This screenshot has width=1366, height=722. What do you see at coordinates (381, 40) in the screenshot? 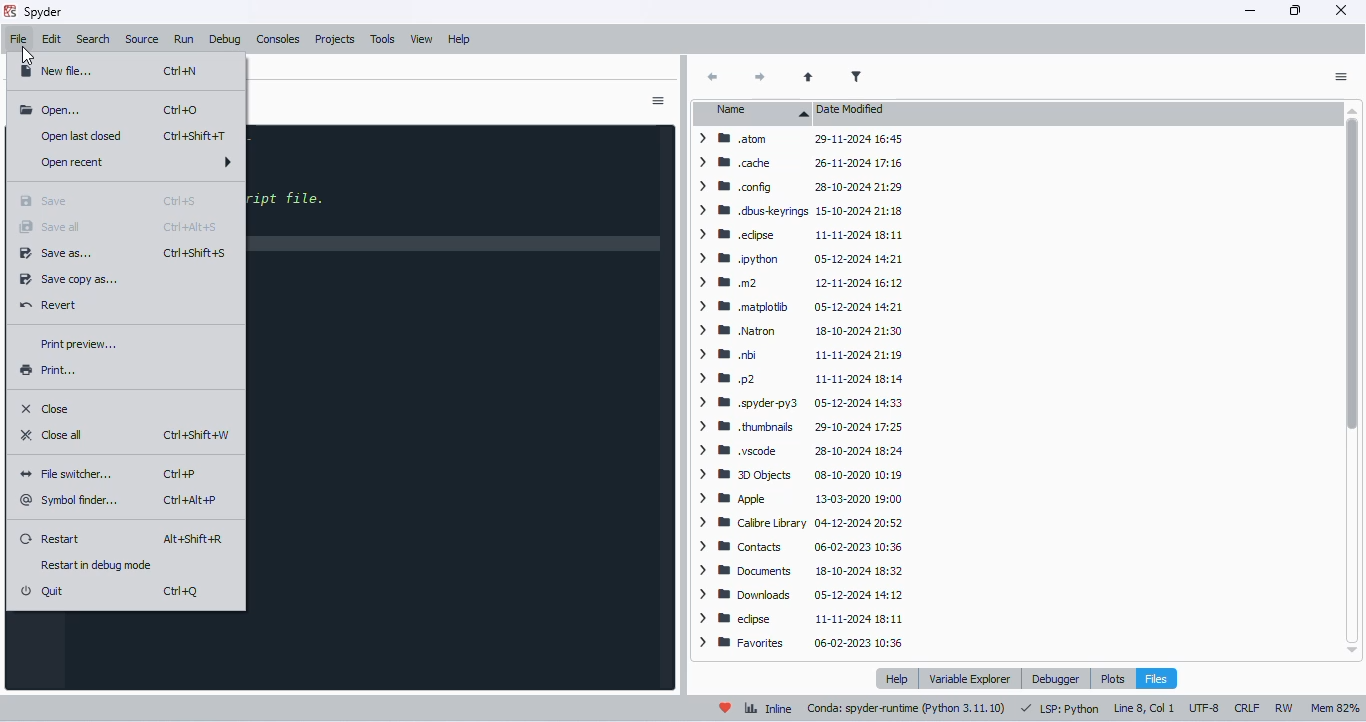
I see `tools` at bounding box center [381, 40].